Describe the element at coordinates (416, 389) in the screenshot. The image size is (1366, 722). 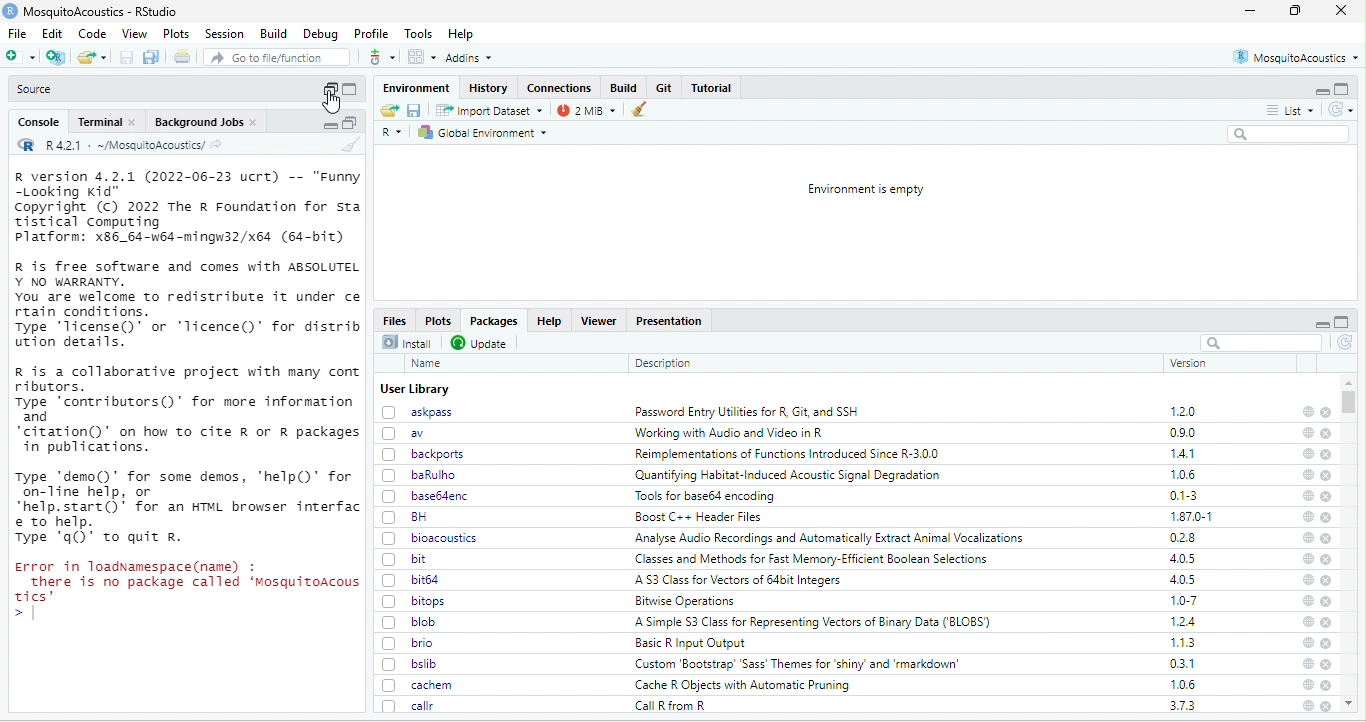
I see `User Library` at that location.